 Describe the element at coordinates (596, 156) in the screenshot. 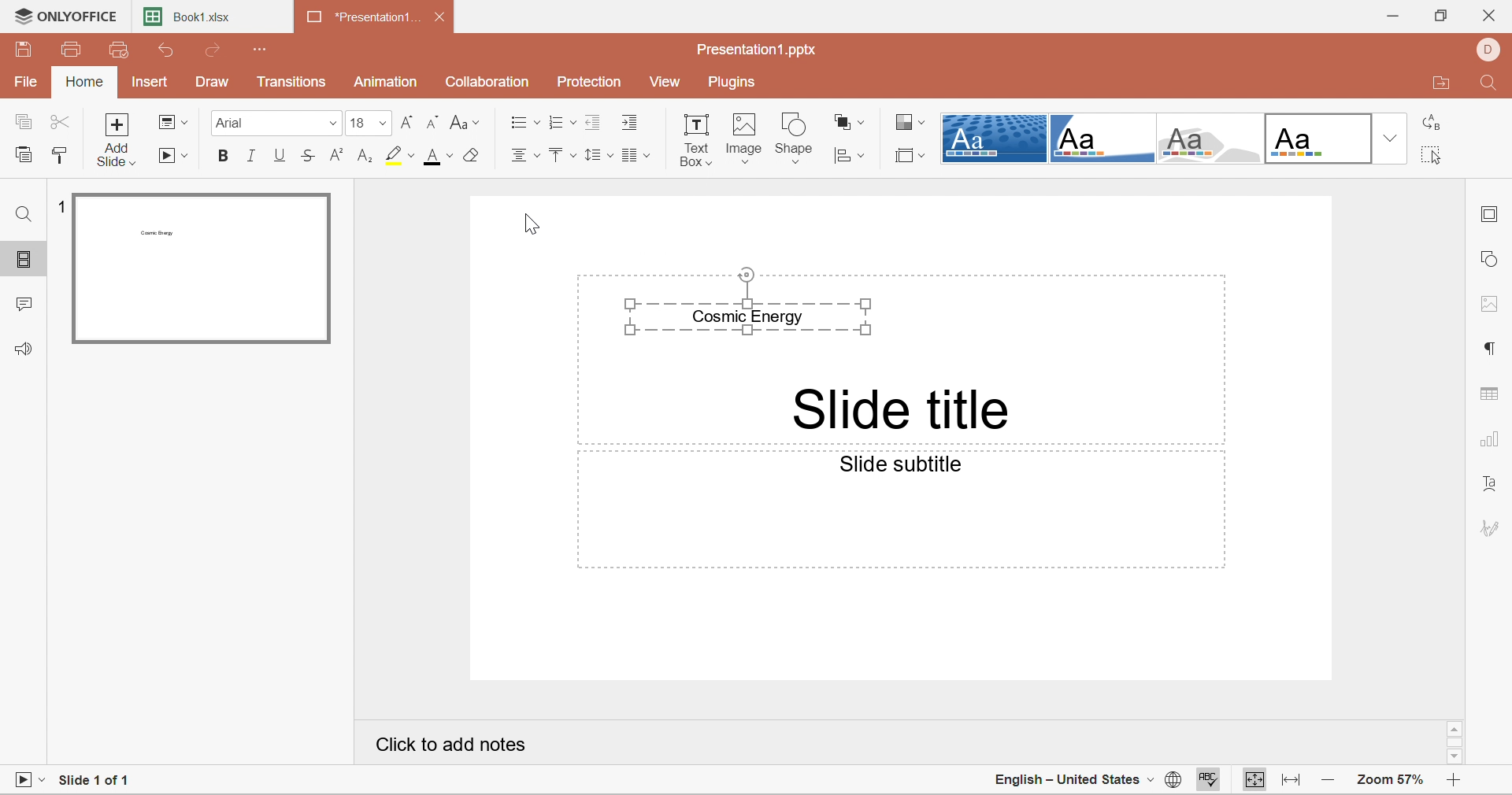

I see `Line spacing` at that location.